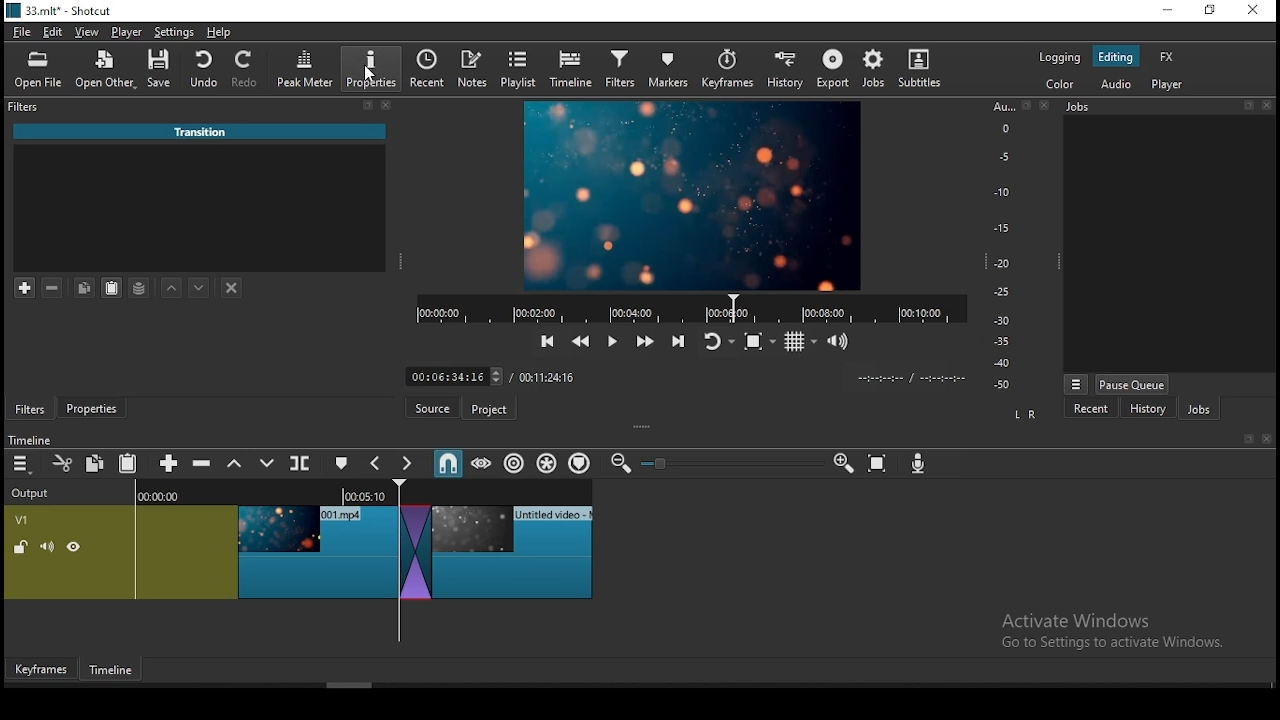 Image resolution: width=1280 pixels, height=720 pixels. Describe the element at coordinates (874, 68) in the screenshot. I see `jobs` at that location.